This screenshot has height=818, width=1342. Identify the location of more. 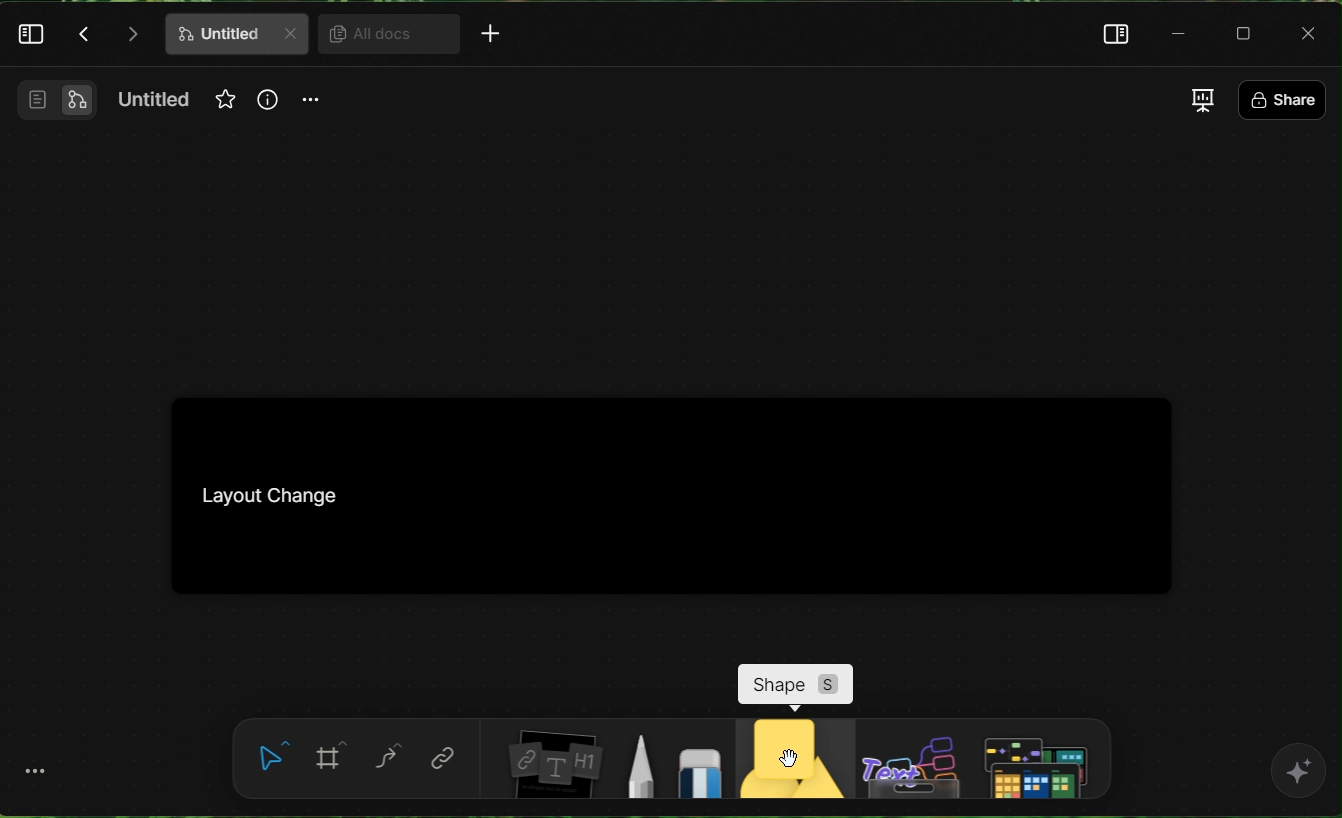
(312, 106).